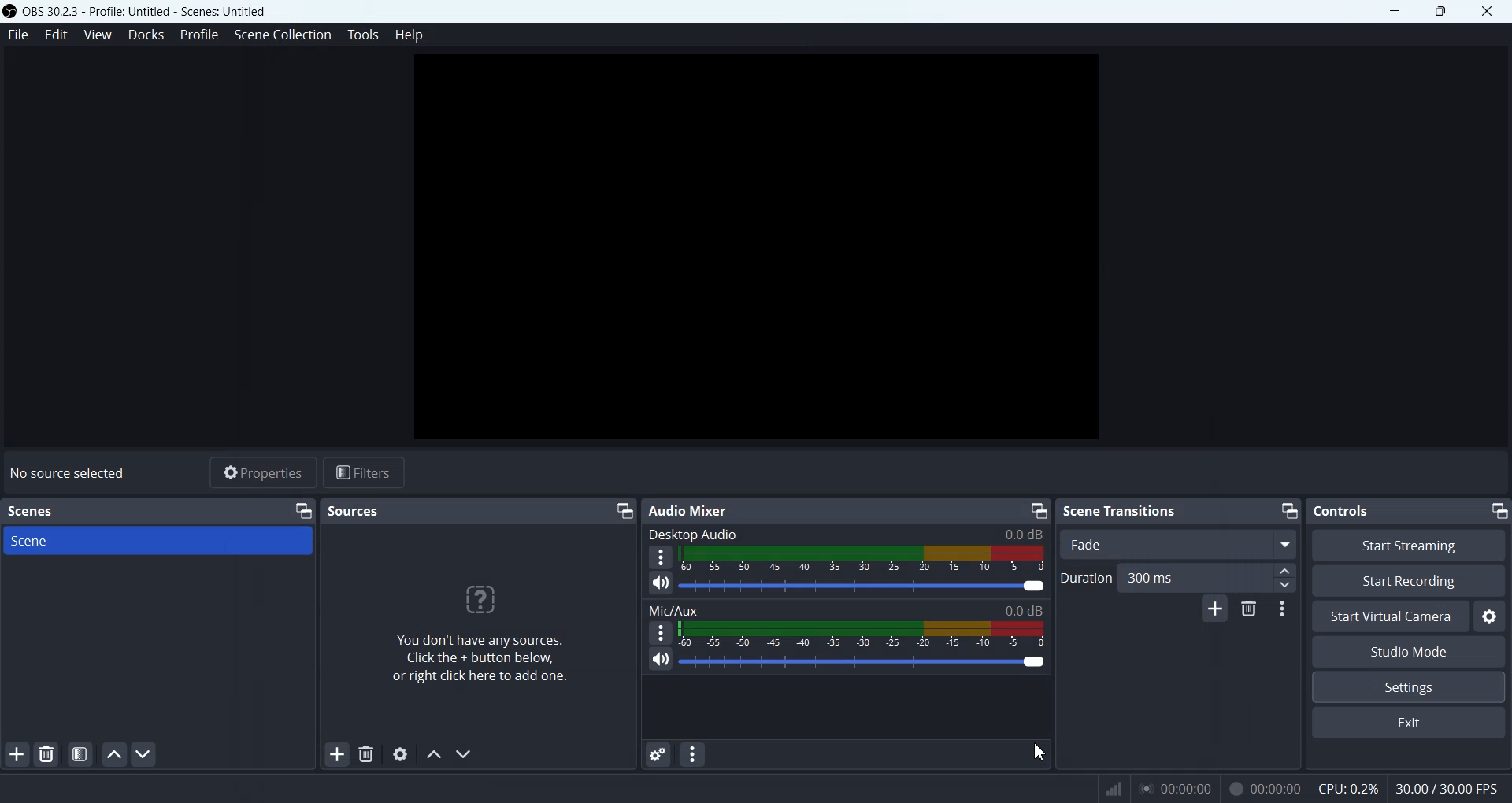 The image size is (1512, 803). I want to click on Volume Adjuster, so click(865, 587).